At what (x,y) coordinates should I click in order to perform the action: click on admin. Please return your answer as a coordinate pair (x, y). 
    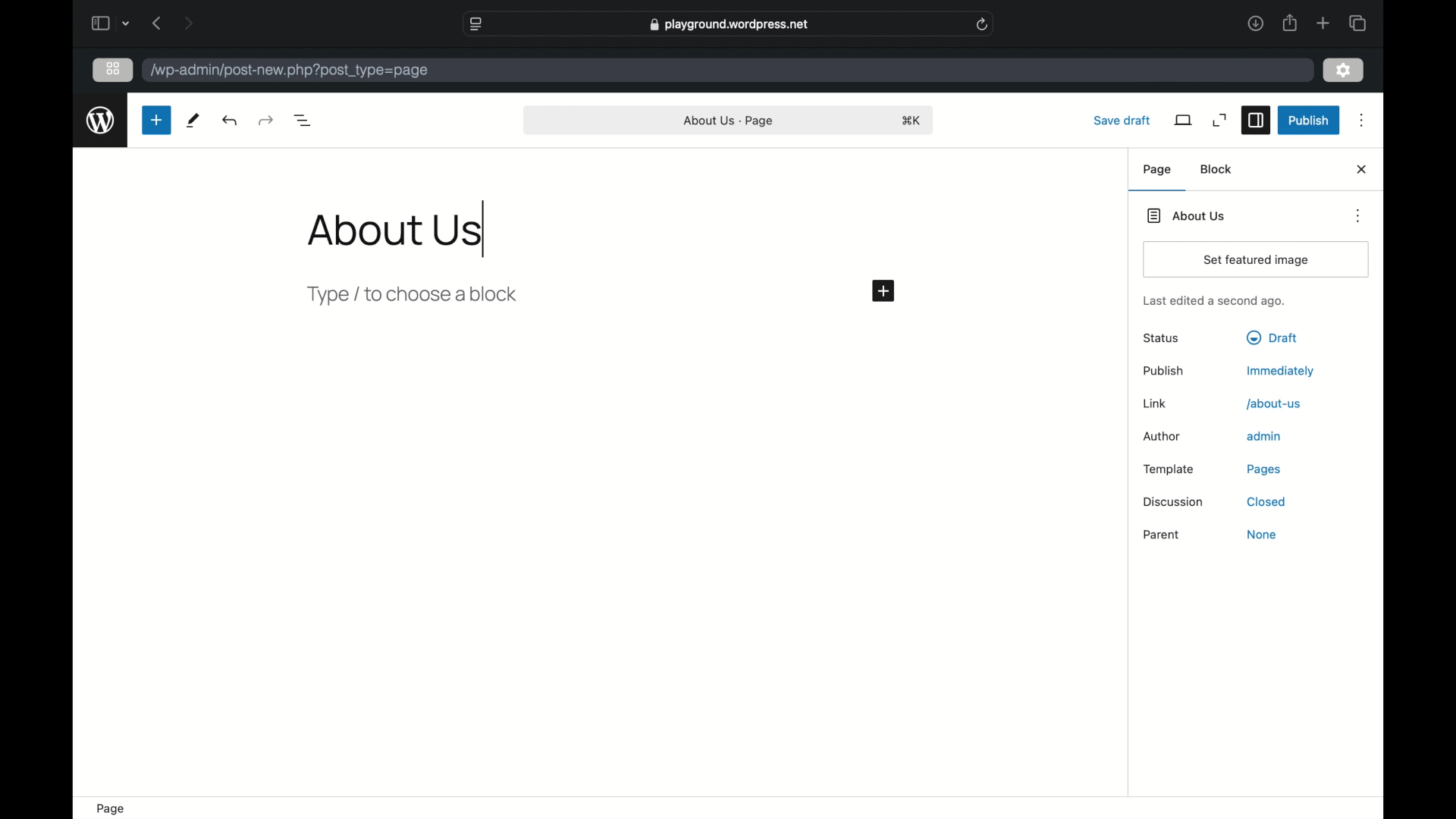
    Looking at the image, I should click on (1265, 436).